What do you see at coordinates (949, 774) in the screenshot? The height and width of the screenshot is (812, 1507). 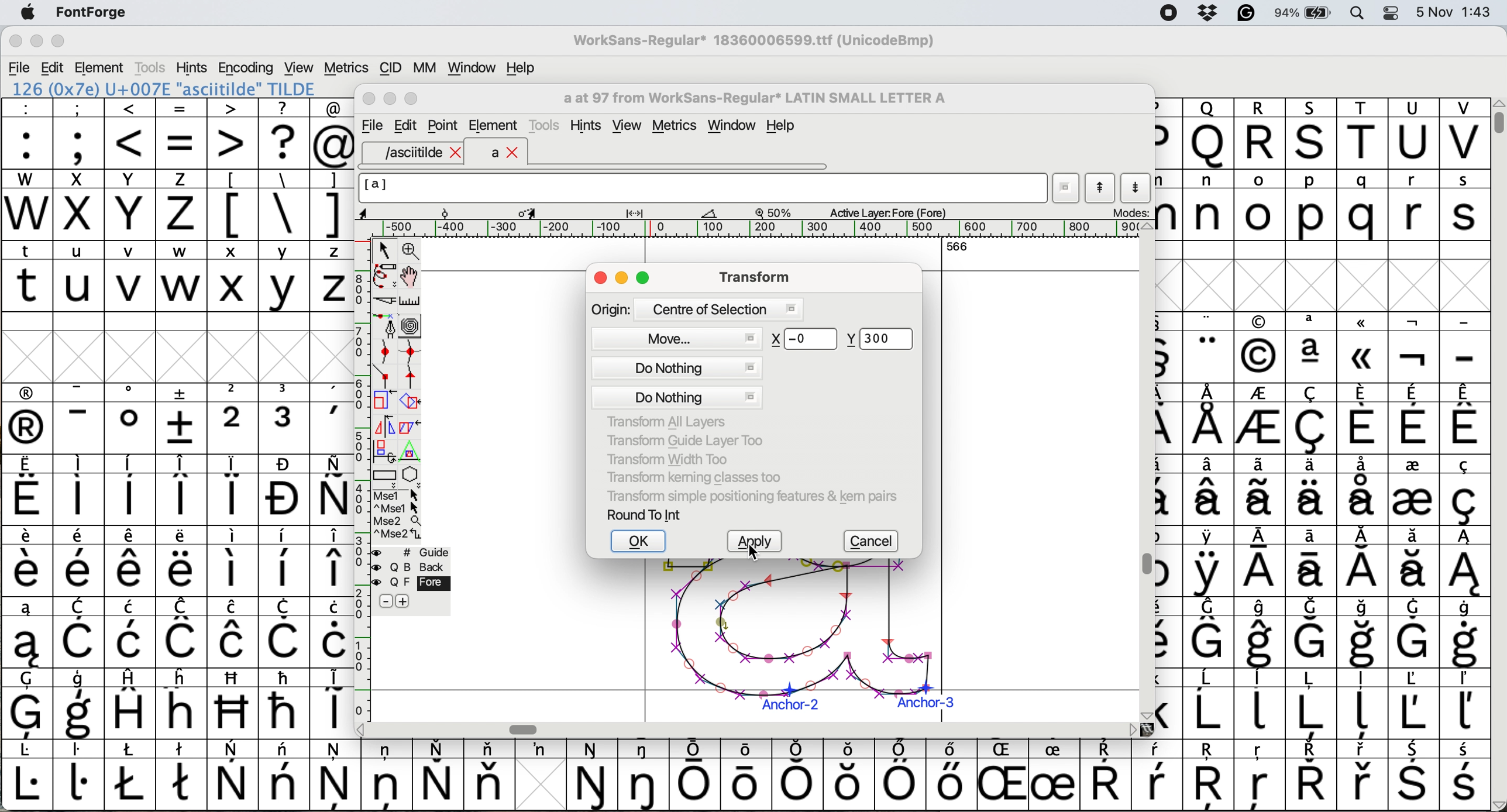 I see `symbol` at bounding box center [949, 774].